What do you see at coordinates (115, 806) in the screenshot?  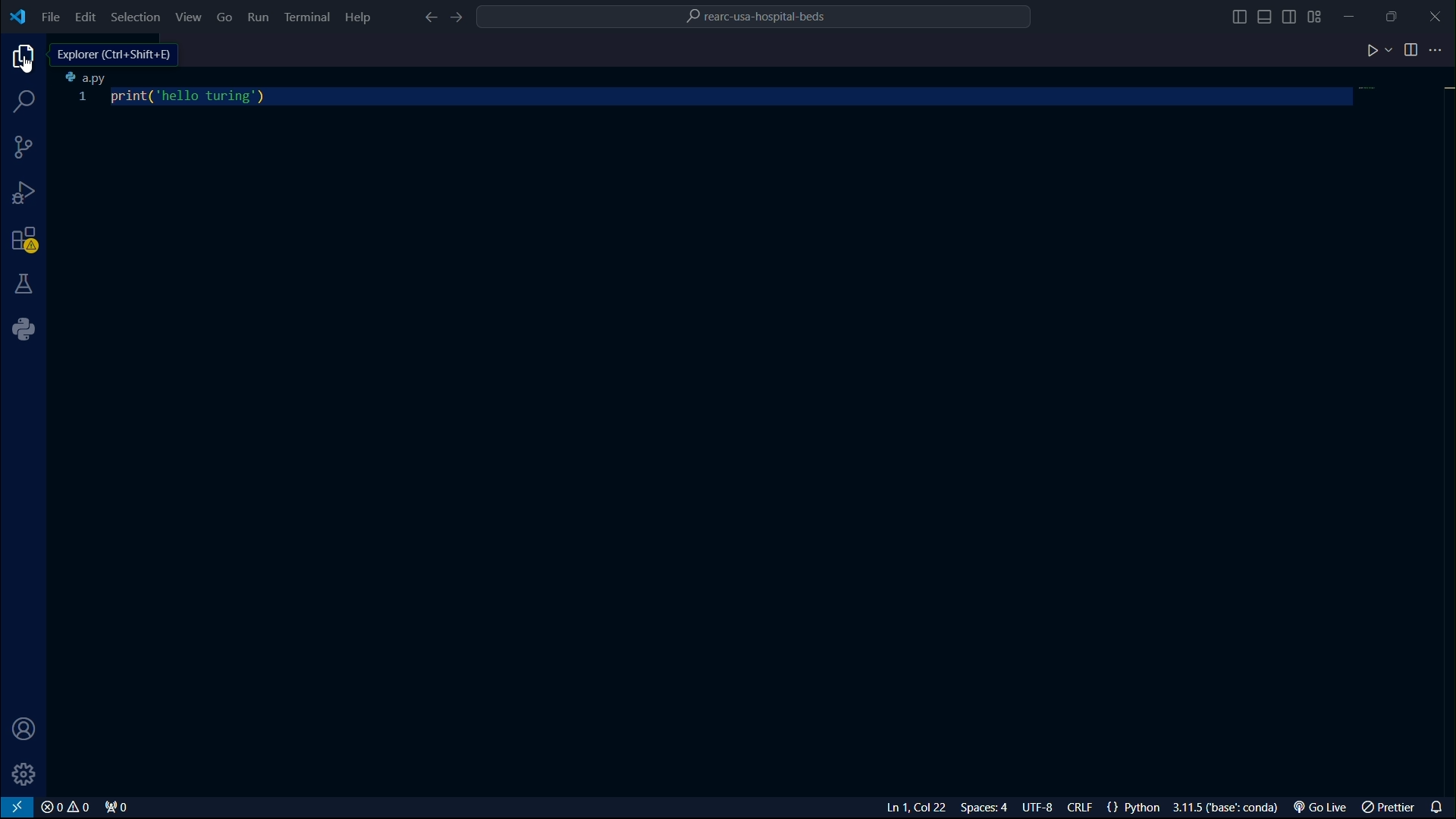 I see `port forwarded` at bounding box center [115, 806].